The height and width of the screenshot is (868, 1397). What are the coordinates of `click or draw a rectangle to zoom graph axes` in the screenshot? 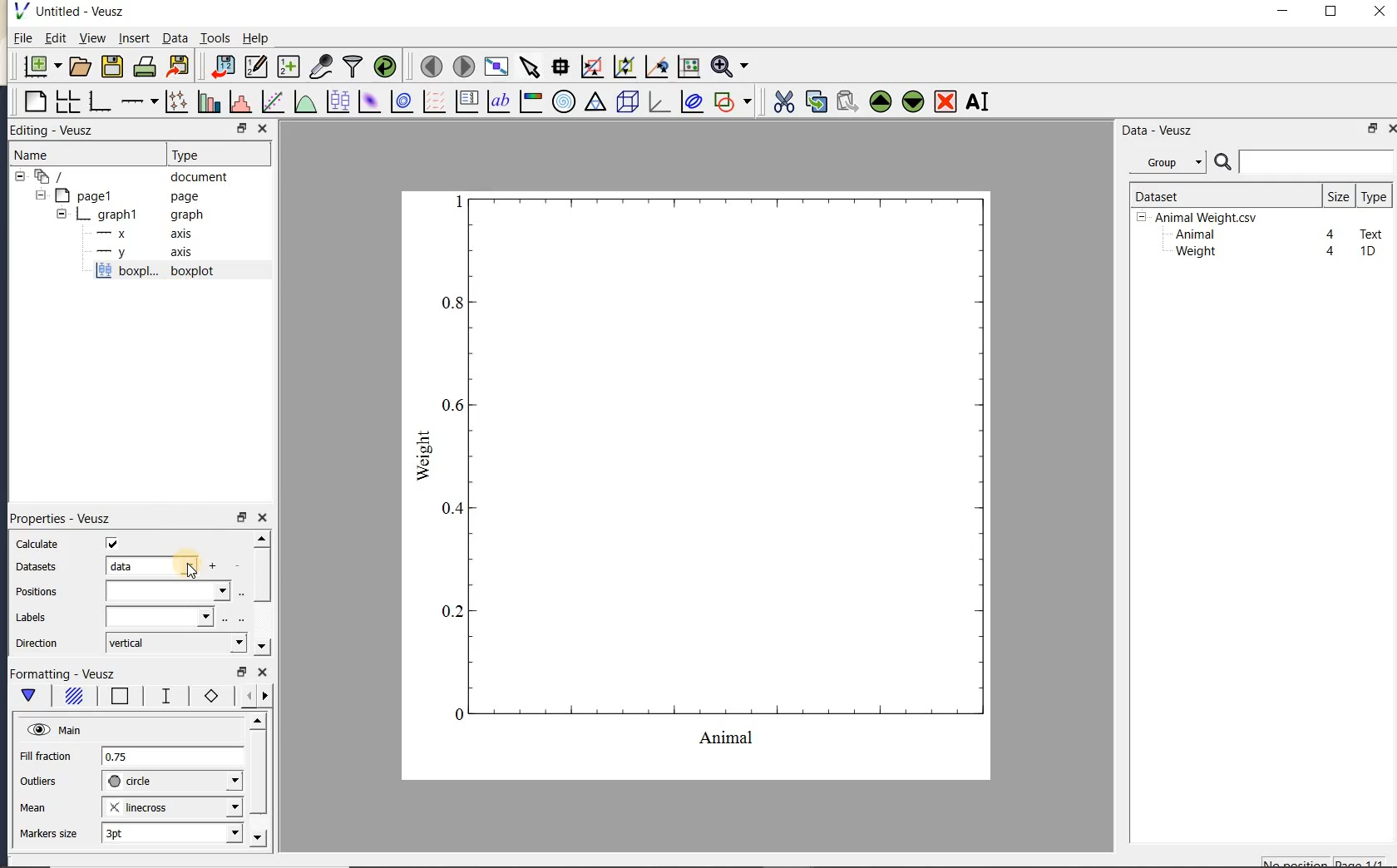 It's located at (591, 67).